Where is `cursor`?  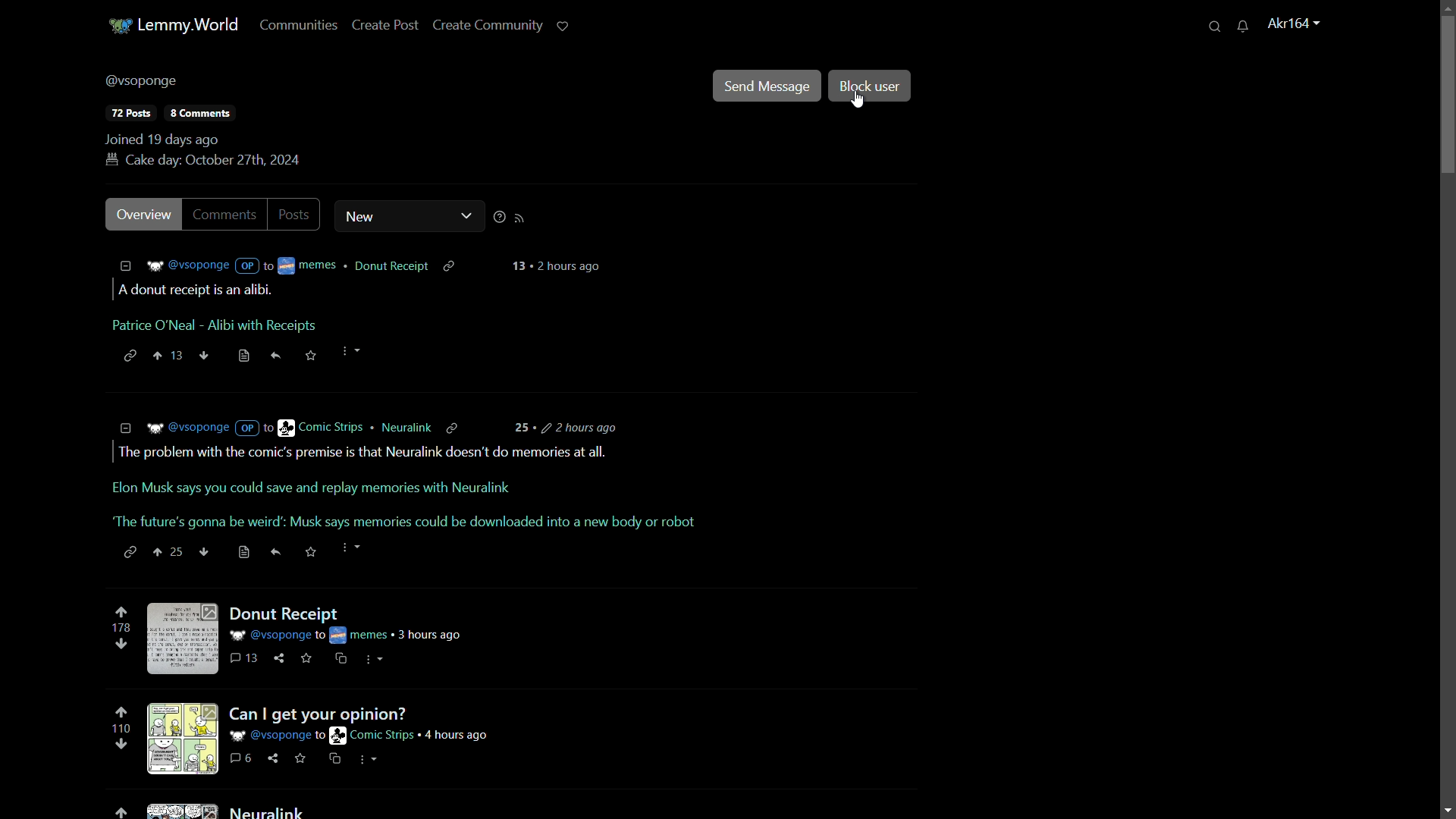
cursor is located at coordinates (856, 103).